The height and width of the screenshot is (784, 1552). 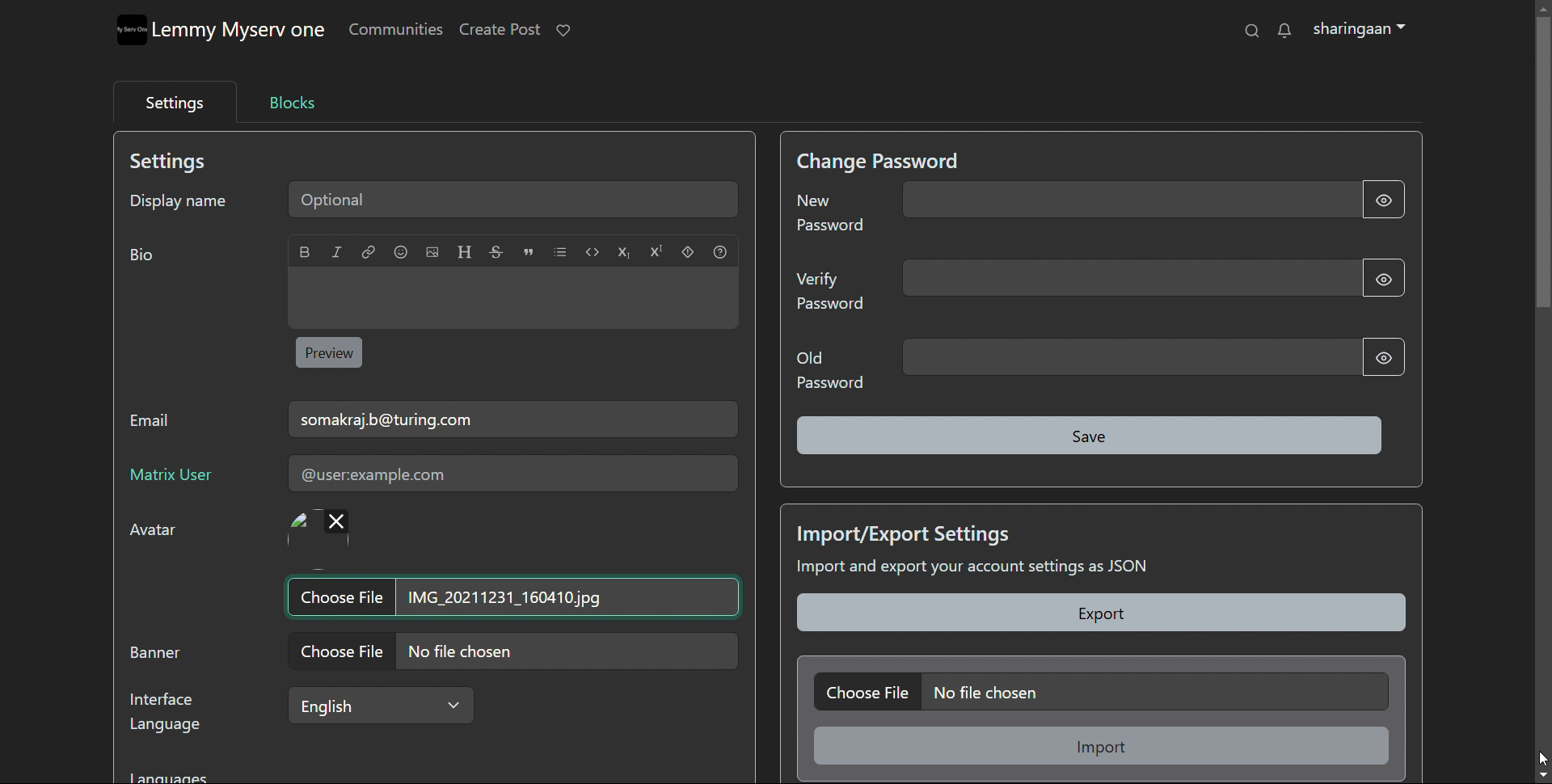 I want to click on export account settings, so click(x=1103, y=613).